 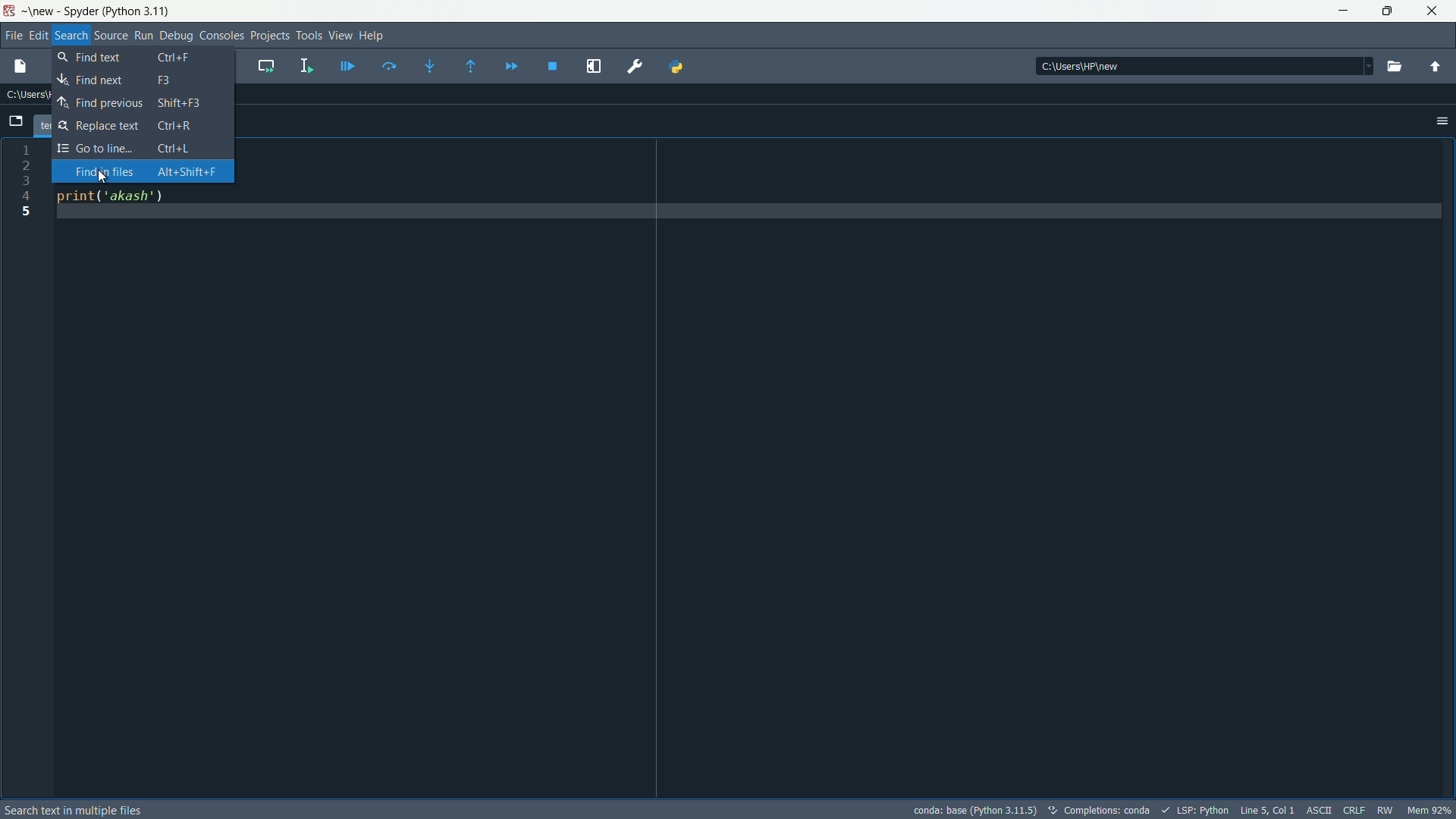 I want to click on RW, so click(x=1385, y=809).